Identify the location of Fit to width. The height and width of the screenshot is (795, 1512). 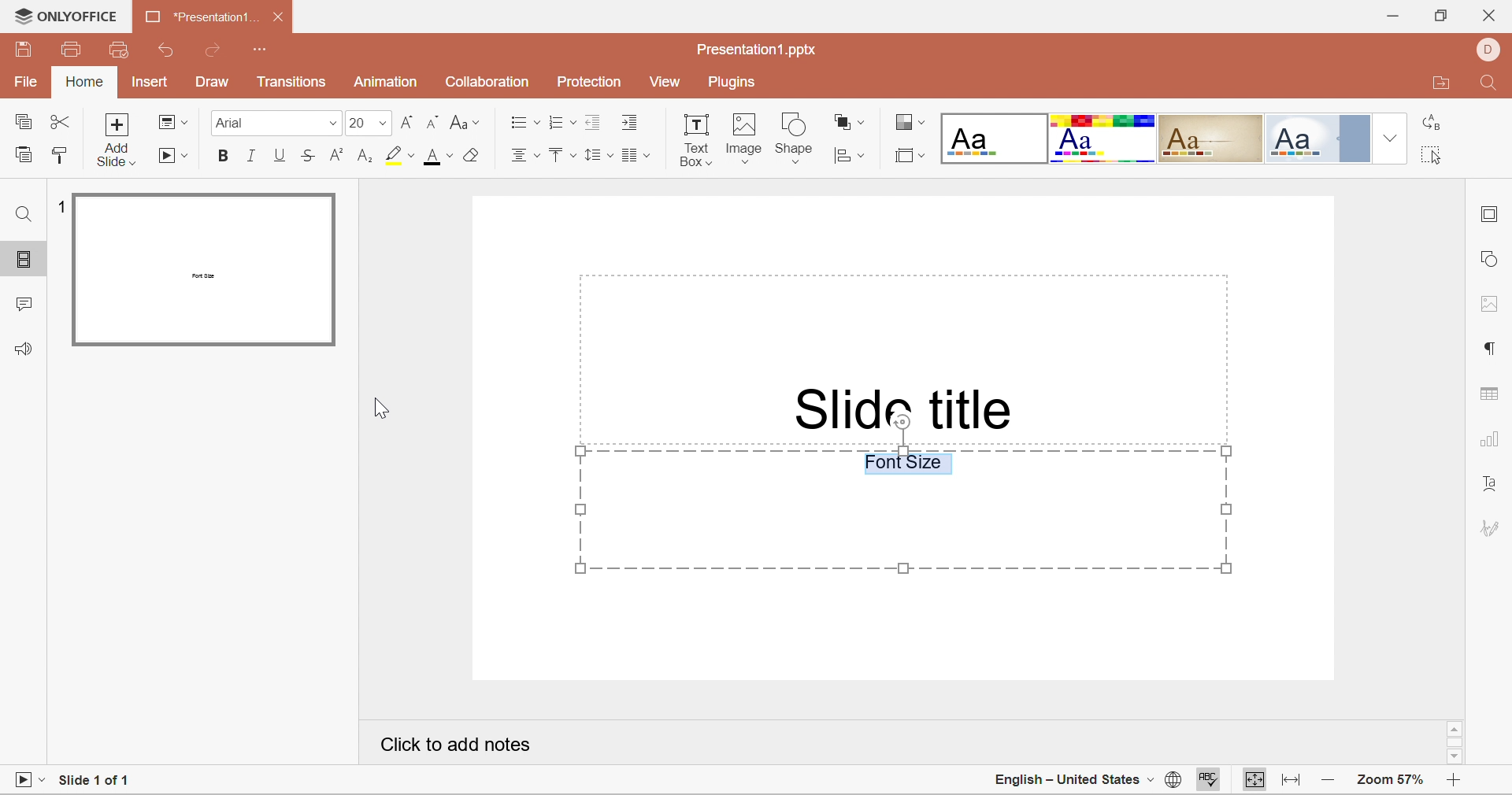
(1291, 782).